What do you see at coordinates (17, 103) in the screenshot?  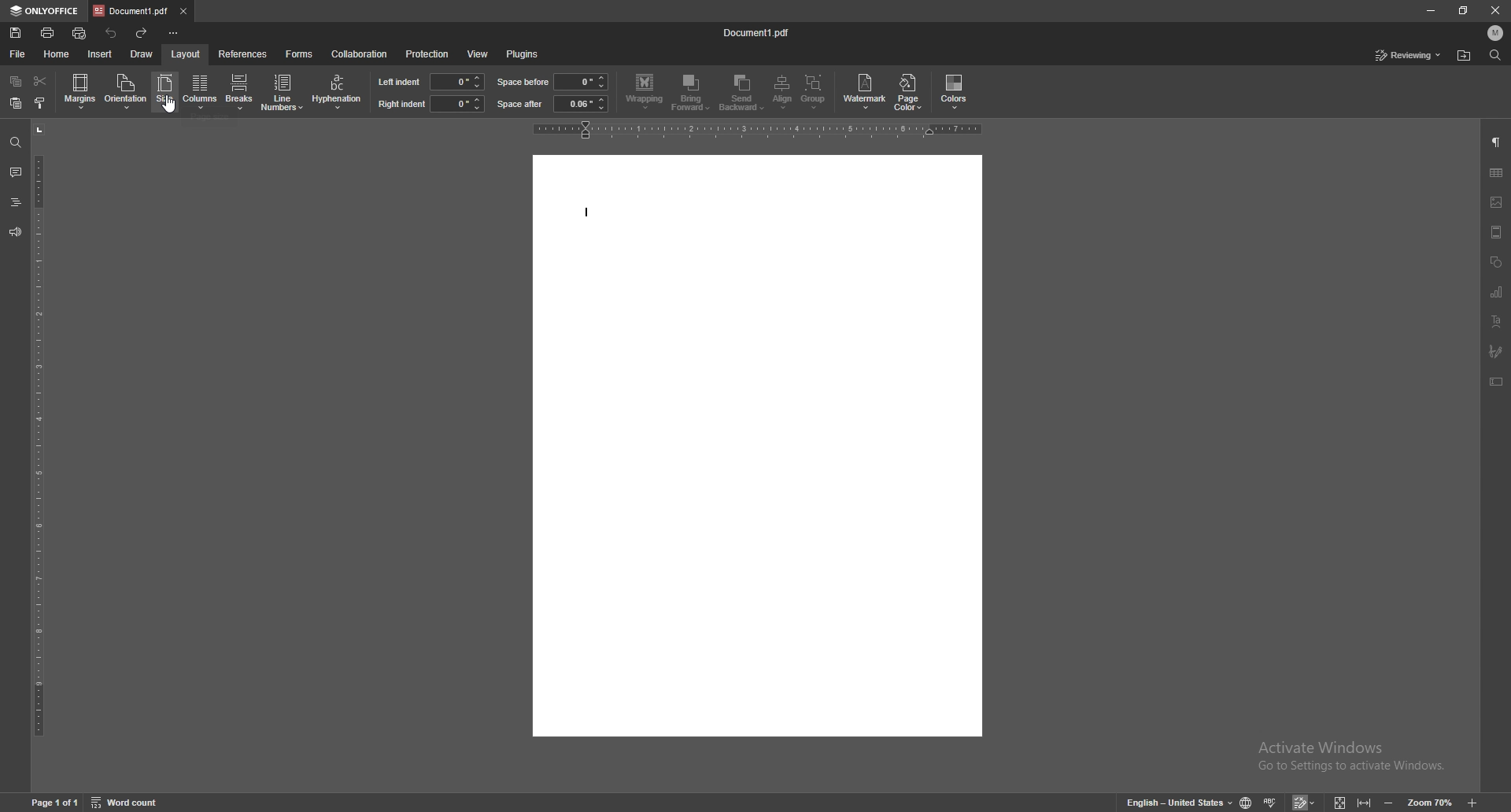 I see `paste` at bounding box center [17, 103].